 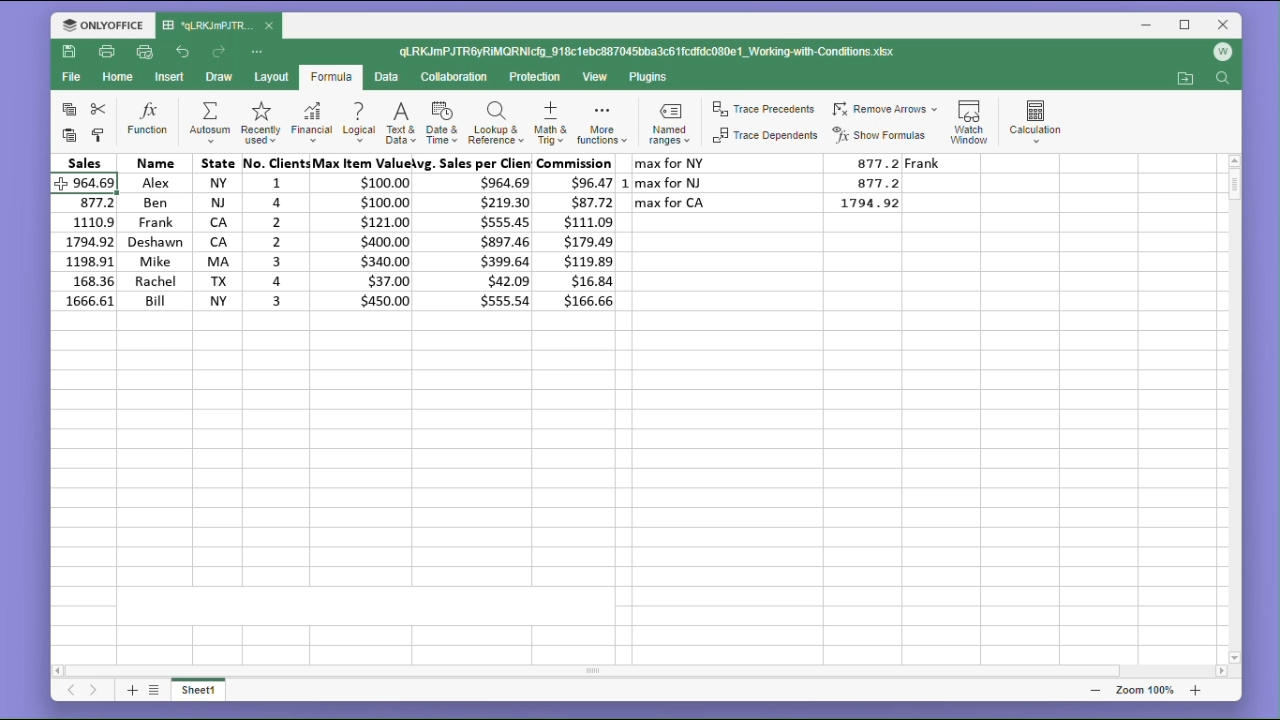 I want to click on scroll down, so click(x=1235, y=657).